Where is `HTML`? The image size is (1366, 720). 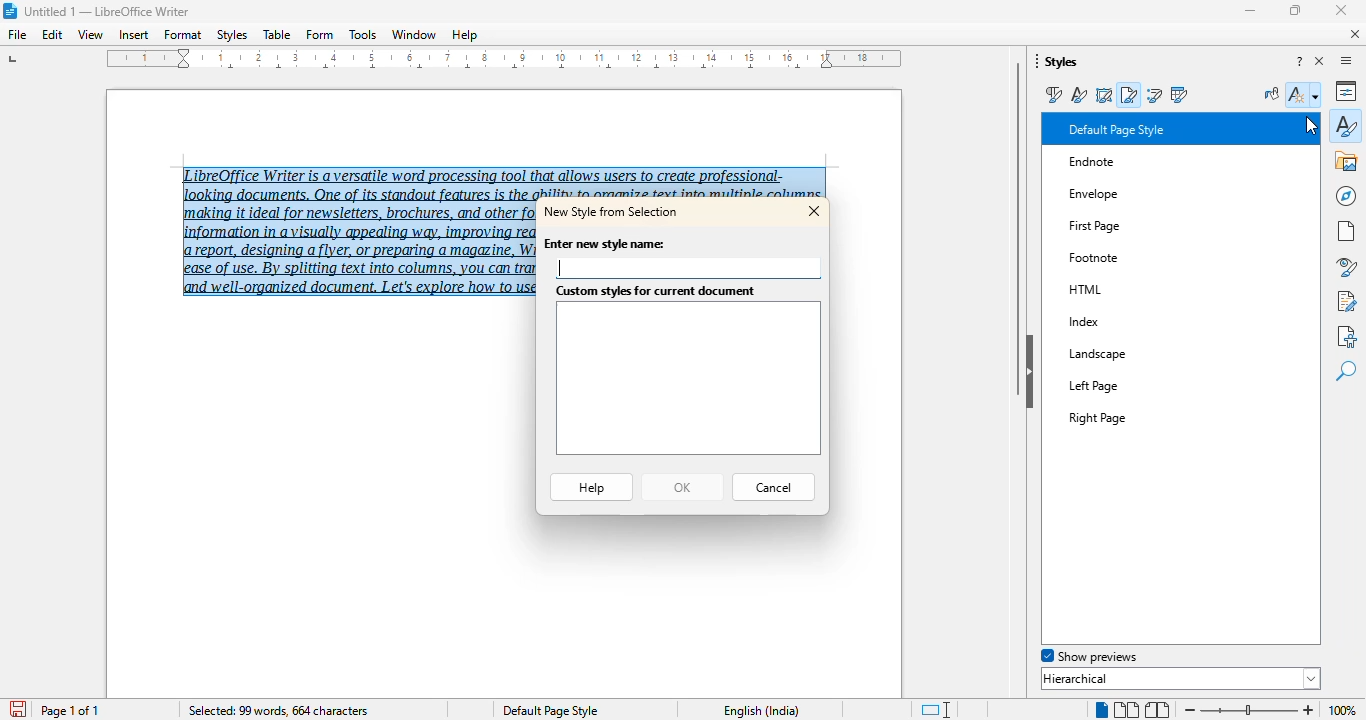 HTML is located at coordinates (1108, 286).